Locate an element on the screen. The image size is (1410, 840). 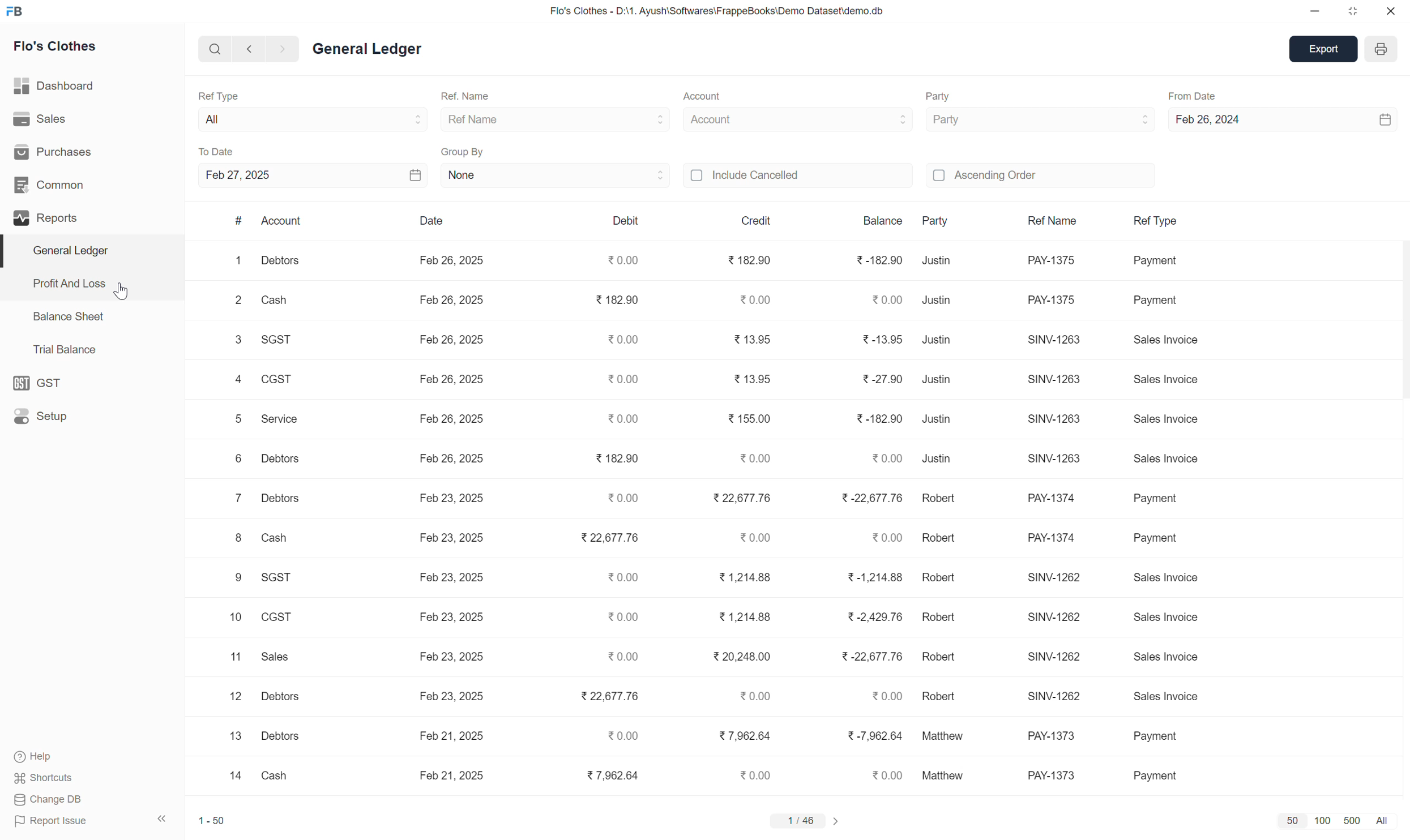
₹0.00 is located at coordinates (755, 773).